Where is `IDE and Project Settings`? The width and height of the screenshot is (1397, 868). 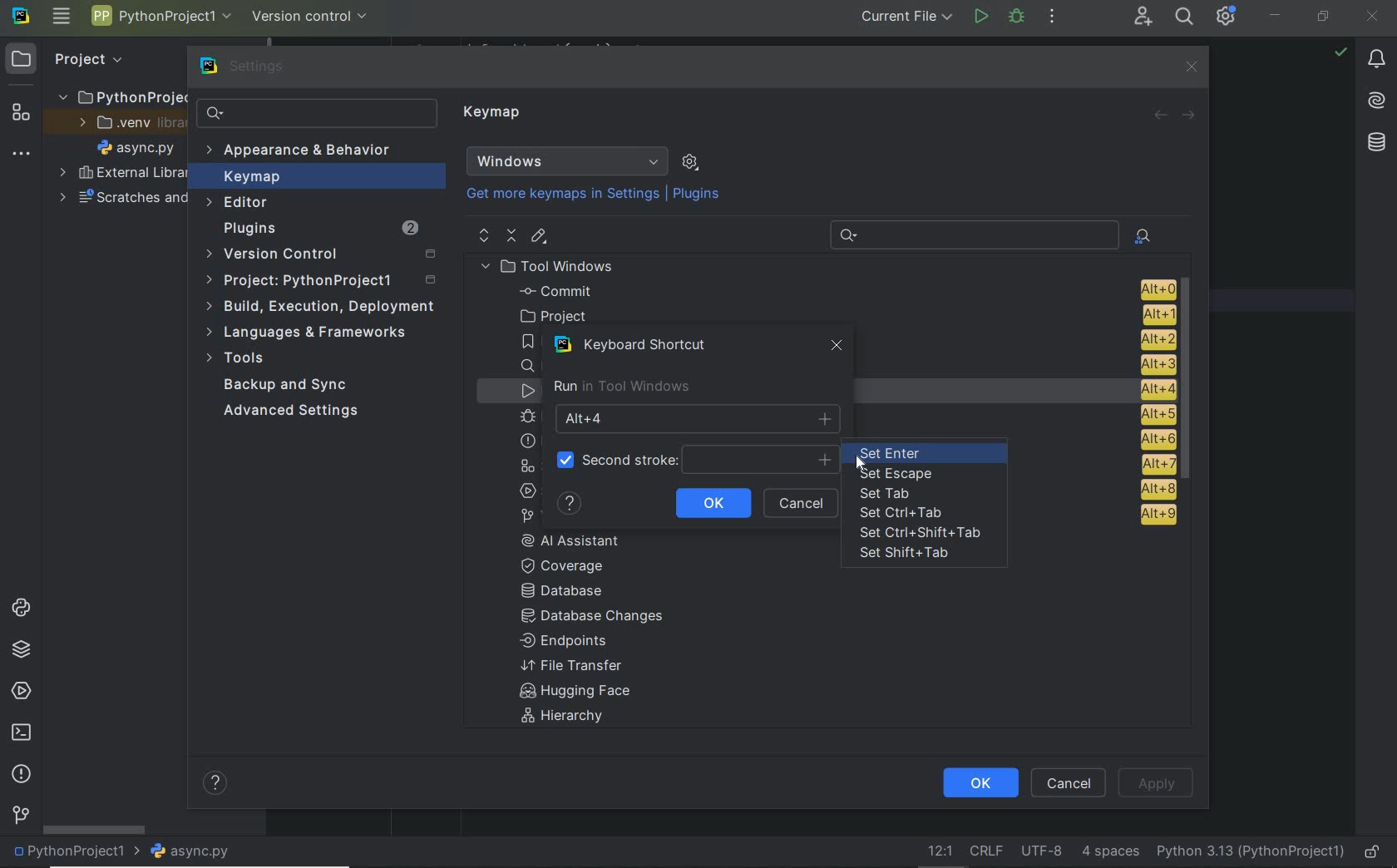 IDE and Project Settings is located at coordinates (1227, 17).